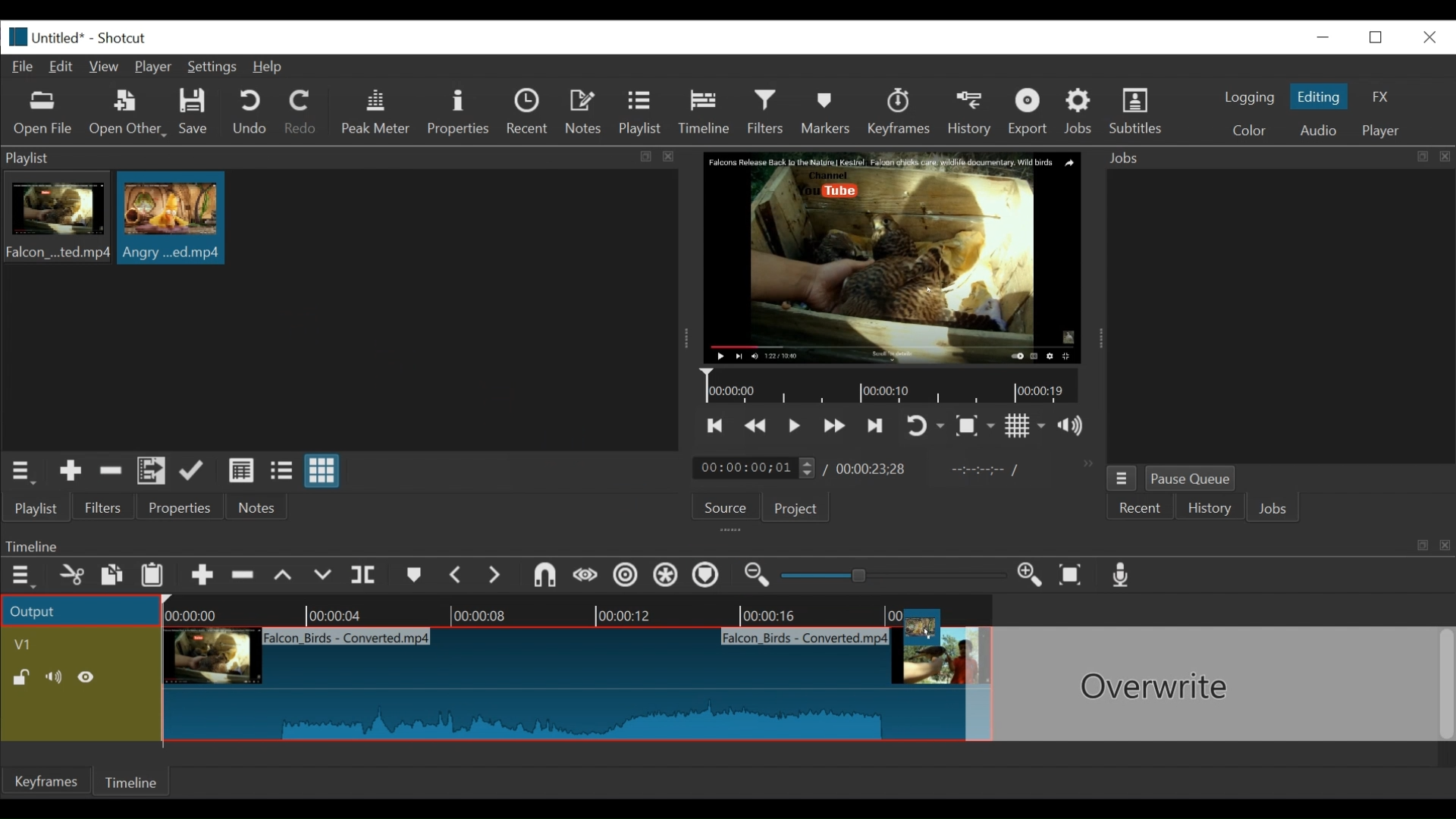 This screenshot has height=819, width=1456. I want to click on Total duration, so click(876, 469).